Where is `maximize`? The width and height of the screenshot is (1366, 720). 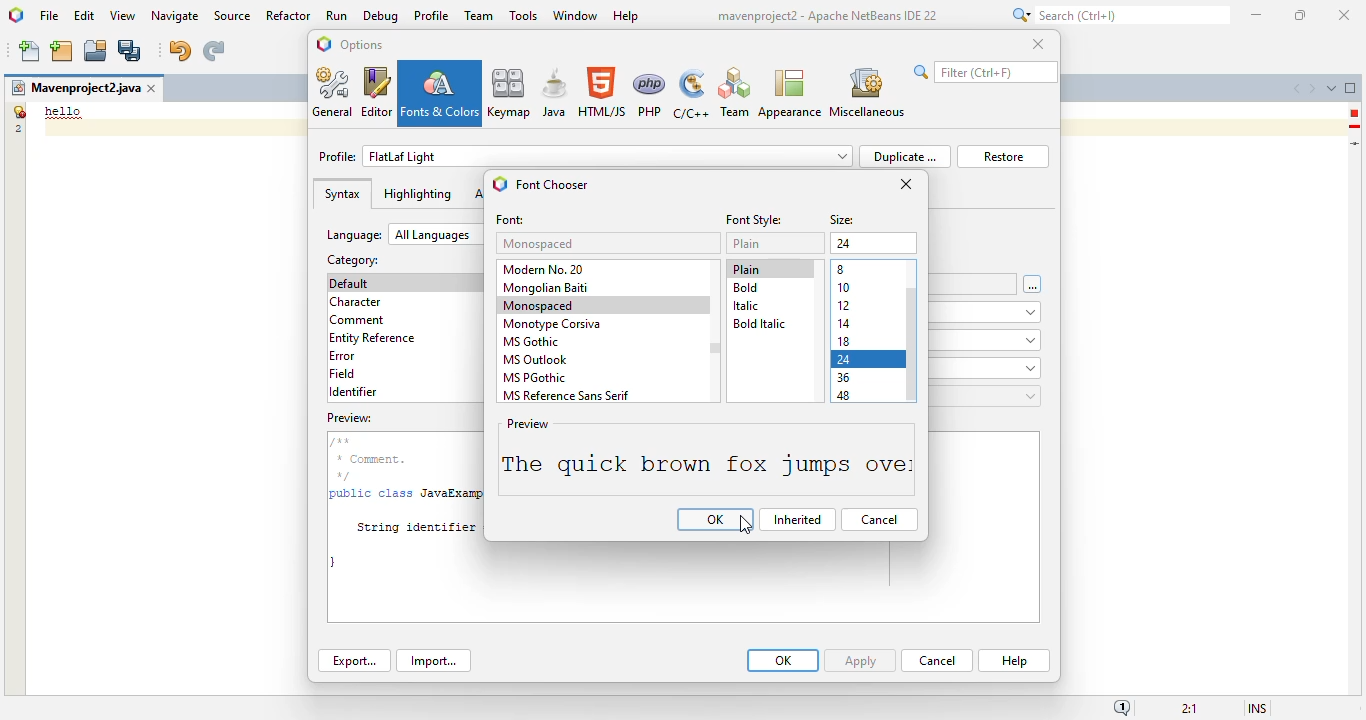 maximize is located at coordinates (1299, 15).